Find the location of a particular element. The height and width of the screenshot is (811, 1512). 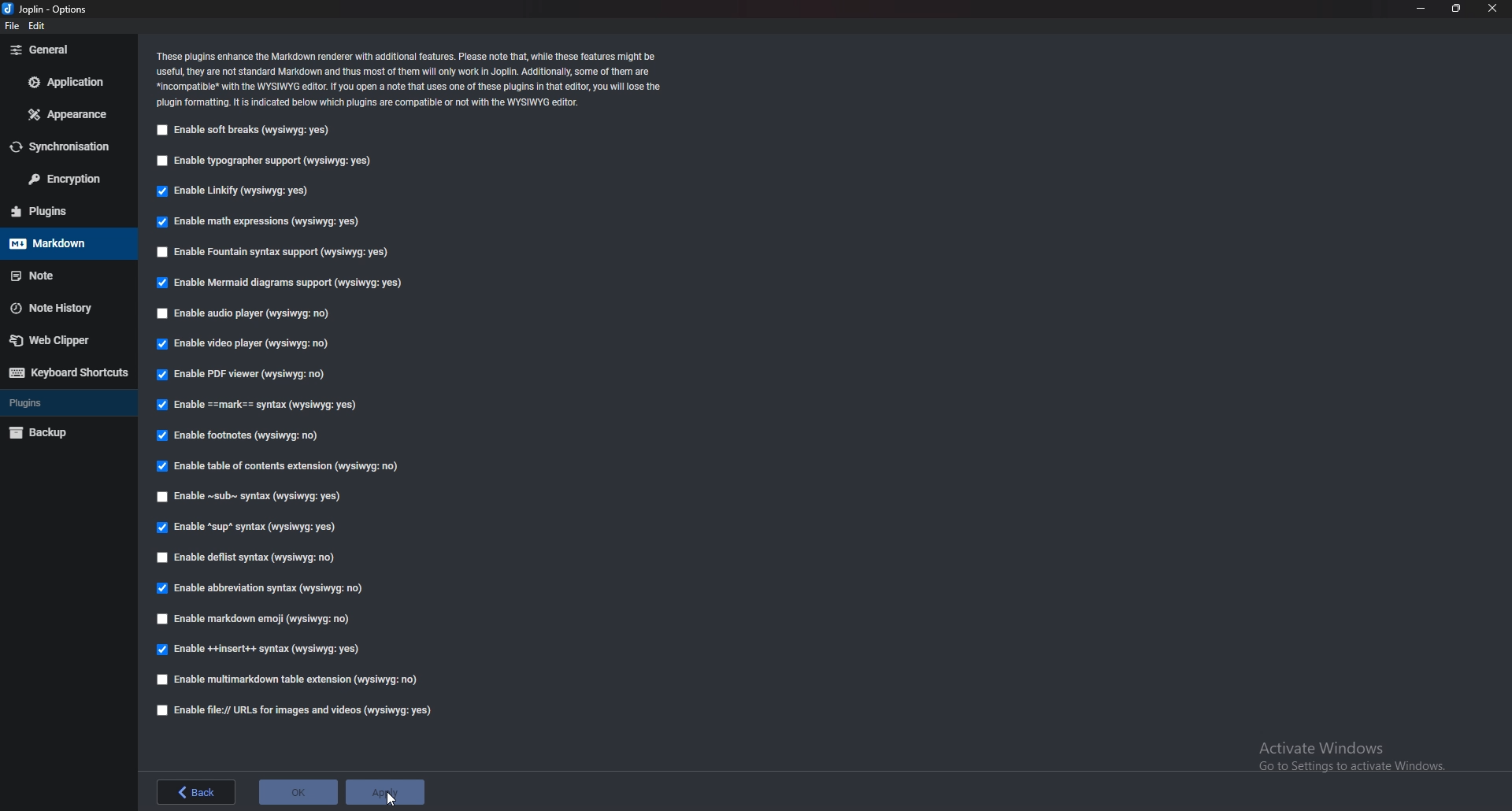

Enable soft breaks is located at coordinates (247, 131).